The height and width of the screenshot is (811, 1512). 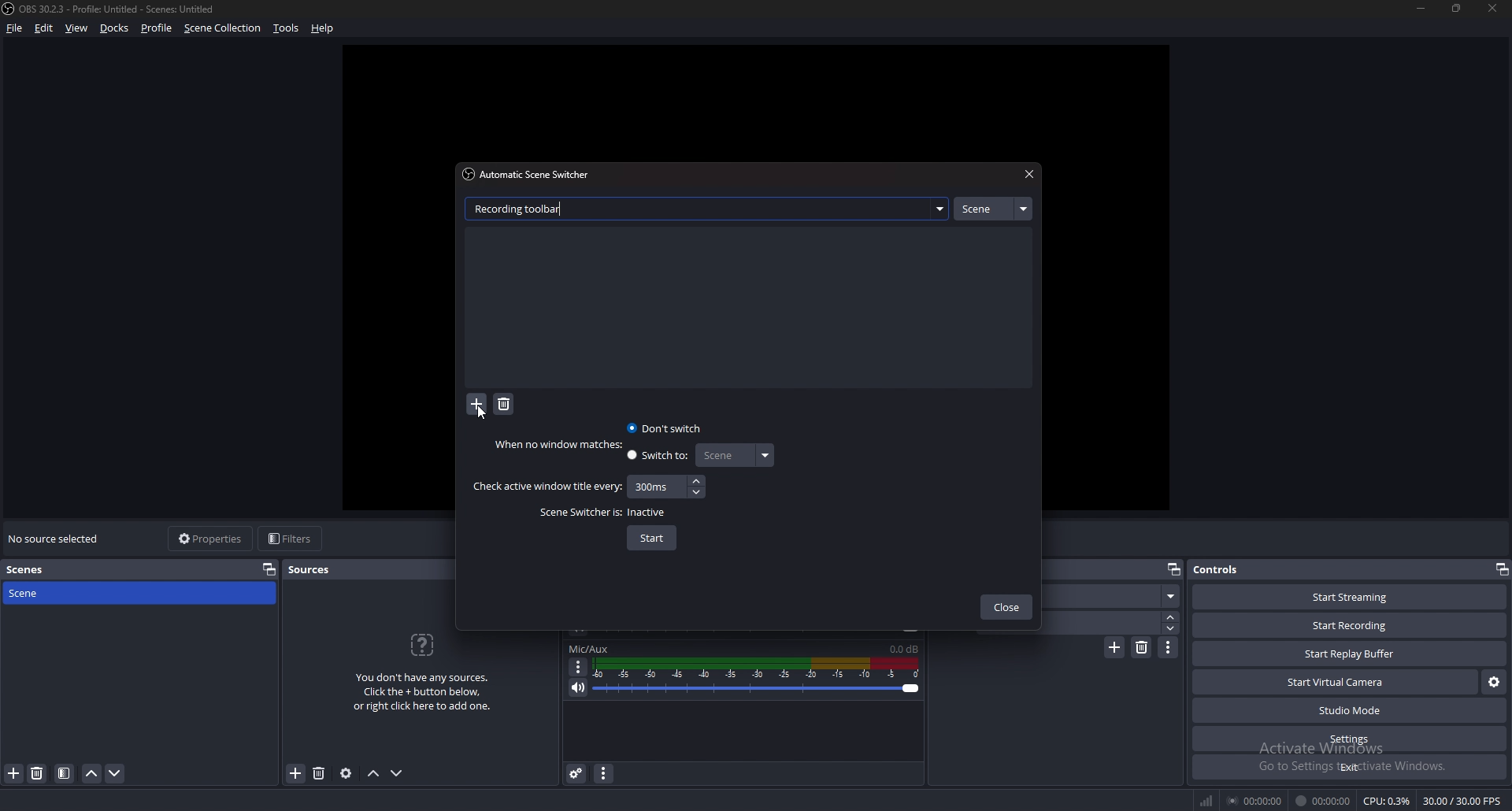 I want to click on configure virtual camera, so click(x=1495, y=681).